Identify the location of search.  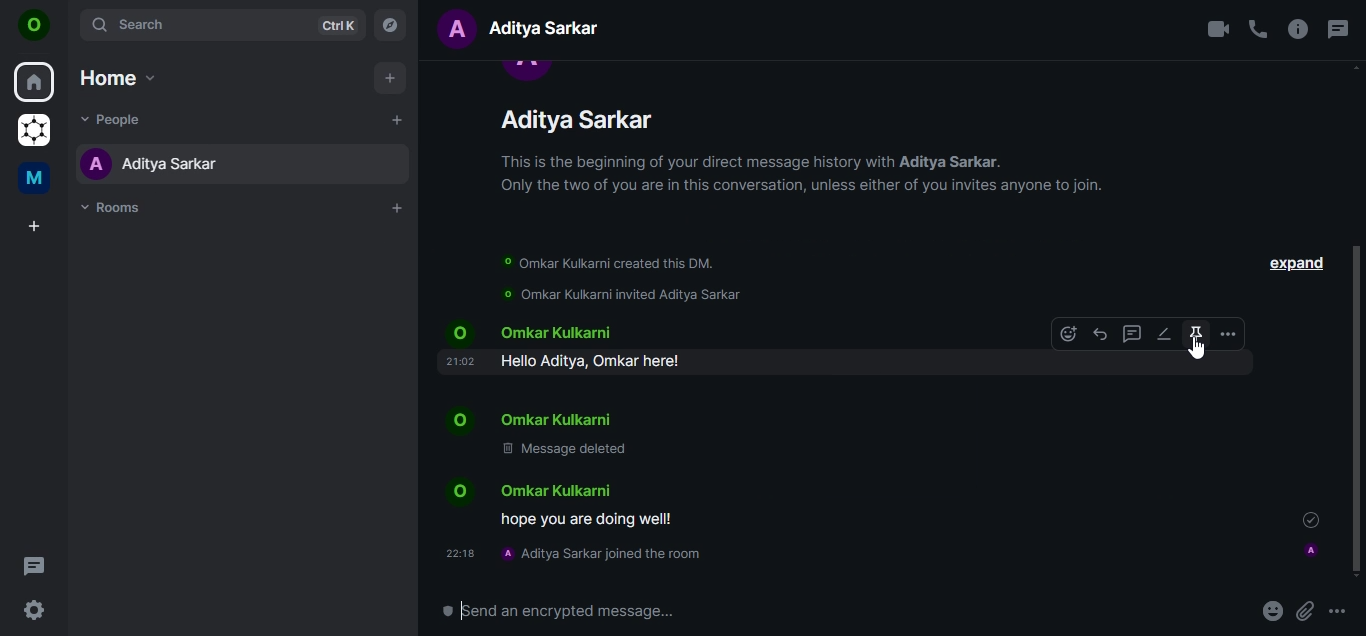
(222, 24).